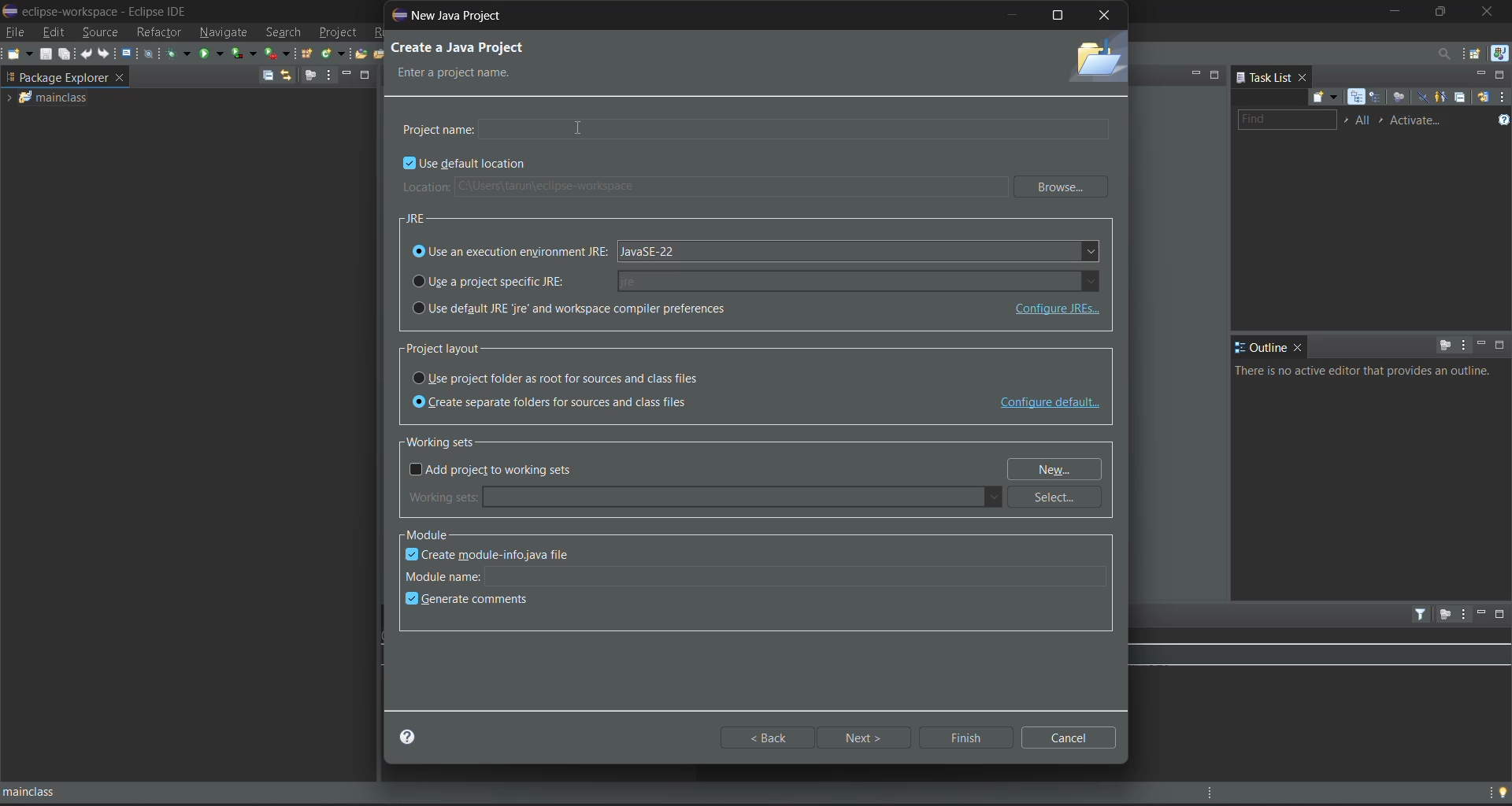 The height and width of the screenshot is (806, 1512). Describe the element at coordinates (98, 9) in the screenshot. I see `eclipse-workspace - Eclipse IDE` at that location.